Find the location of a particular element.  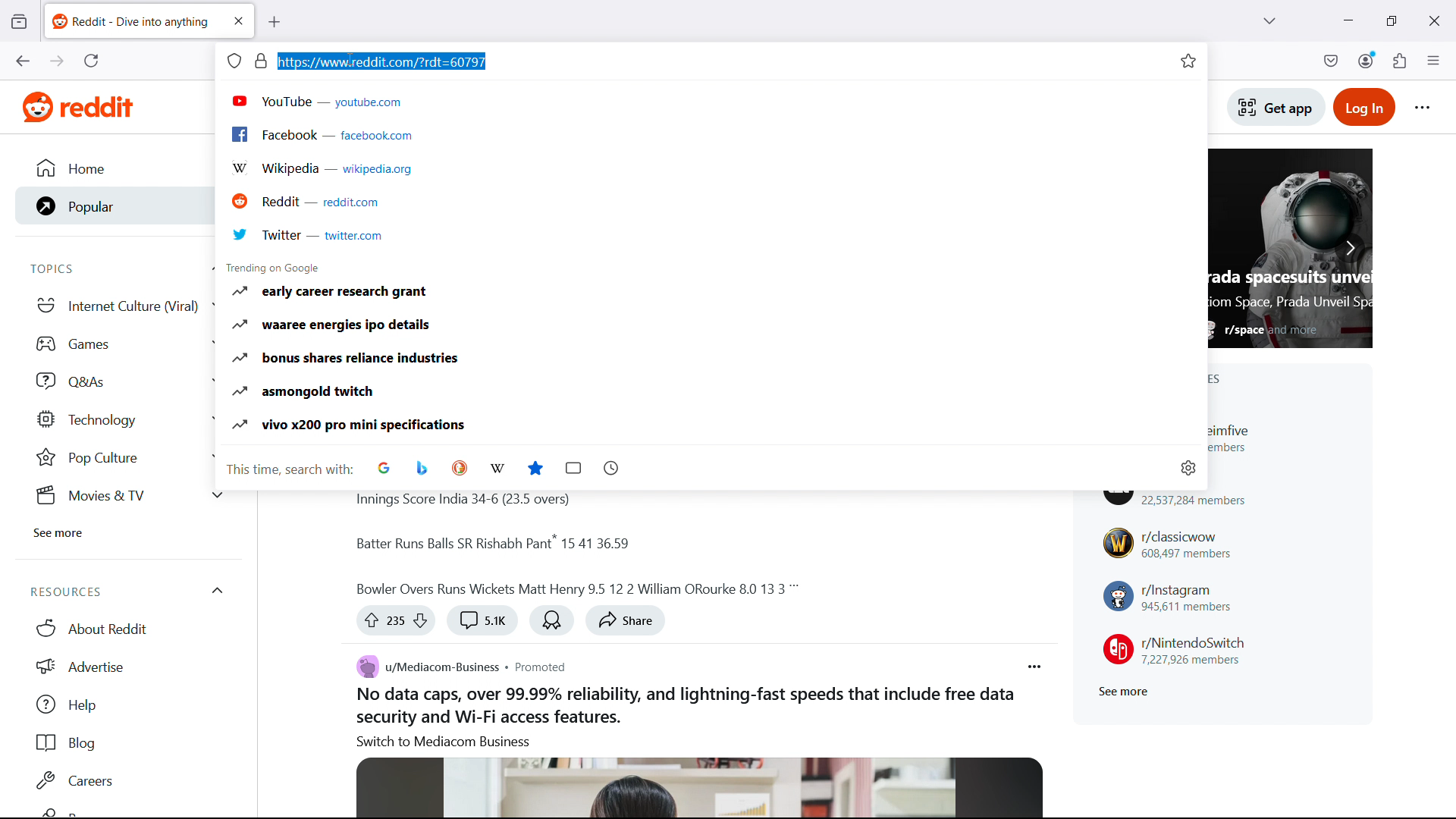

share is located at coordinates (626, 621).